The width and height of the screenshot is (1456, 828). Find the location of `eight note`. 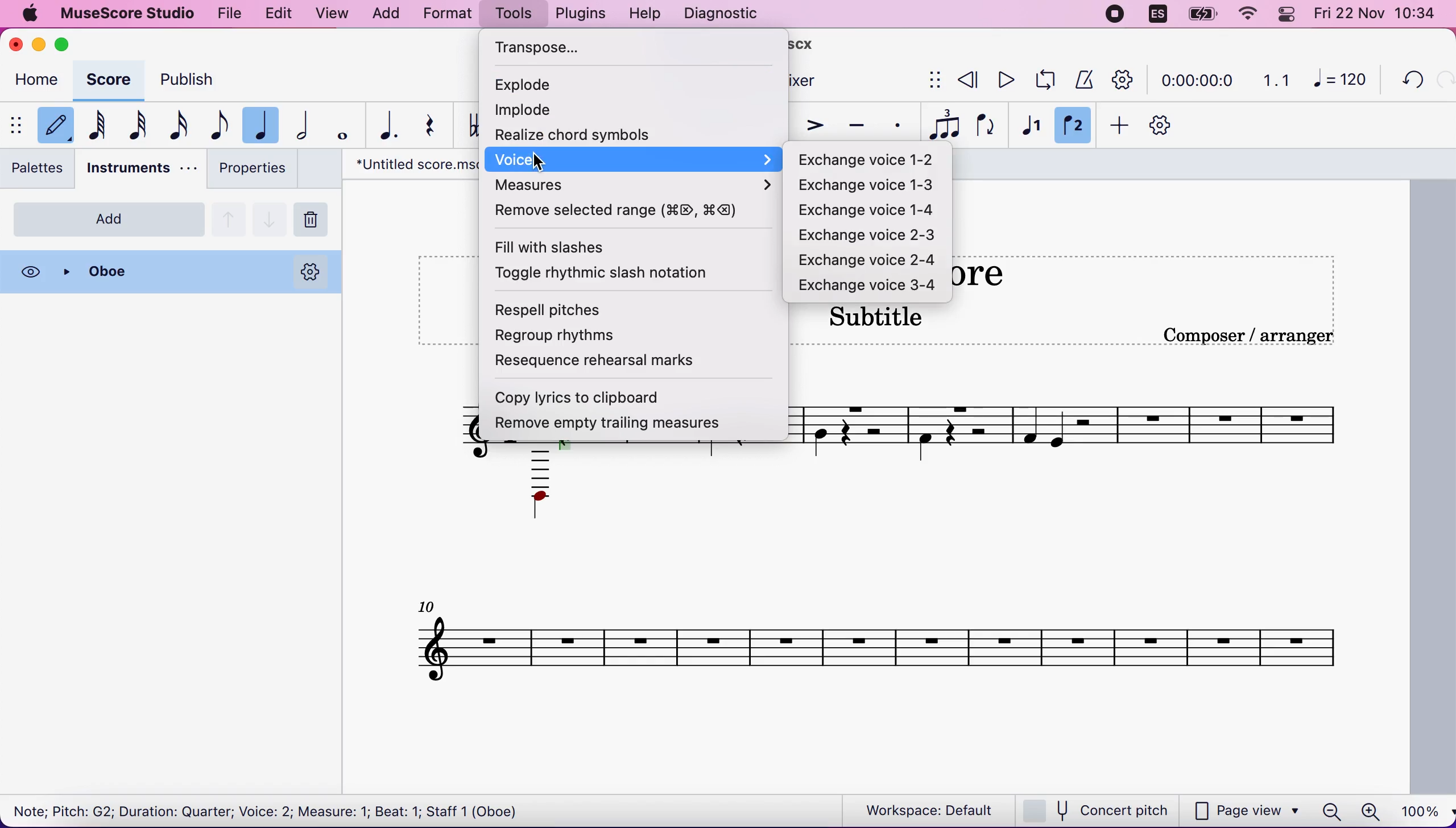

eight note is located at coordinates (221, 127).